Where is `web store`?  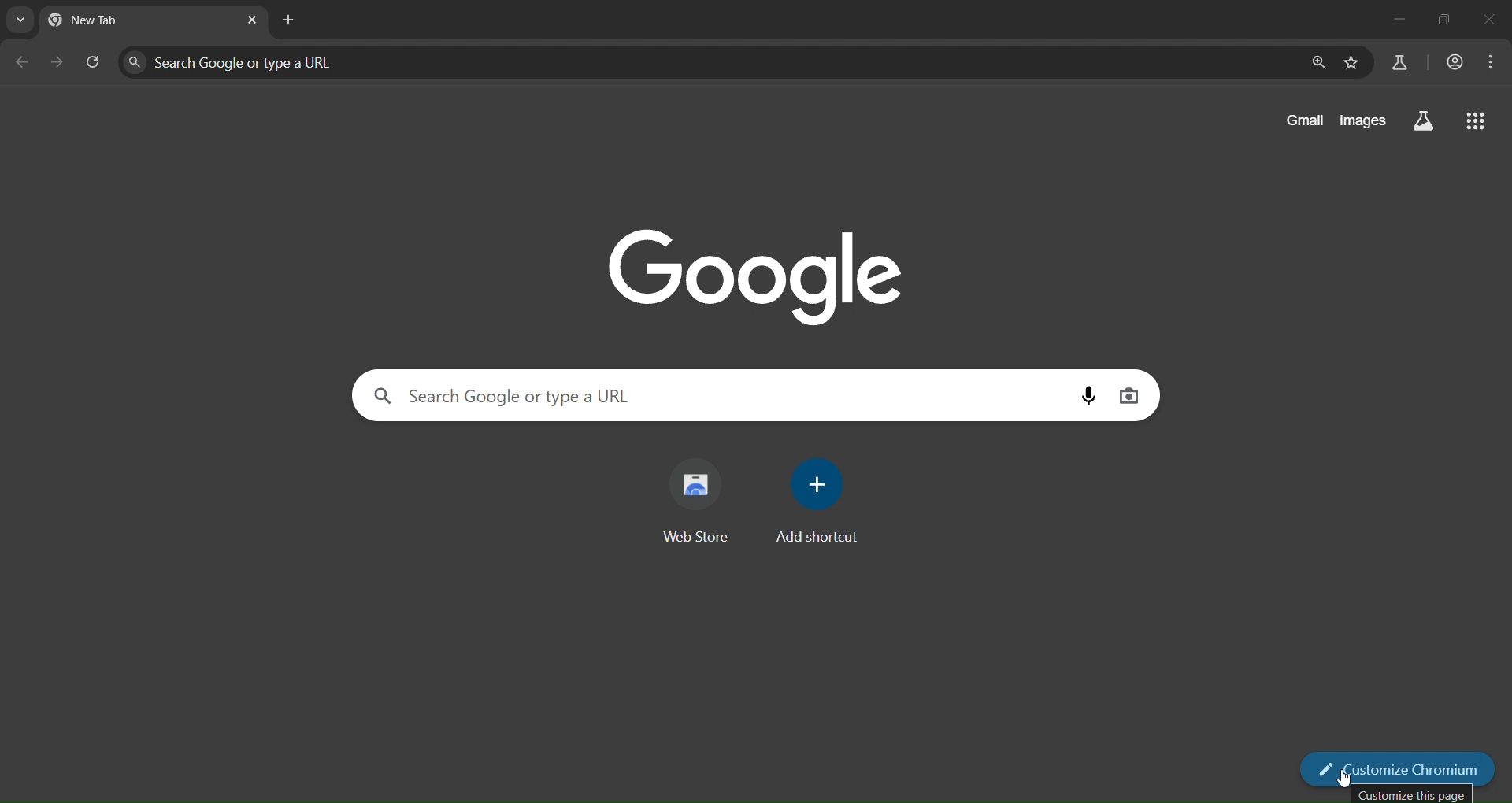 web store is located at coordinates (695, 500).